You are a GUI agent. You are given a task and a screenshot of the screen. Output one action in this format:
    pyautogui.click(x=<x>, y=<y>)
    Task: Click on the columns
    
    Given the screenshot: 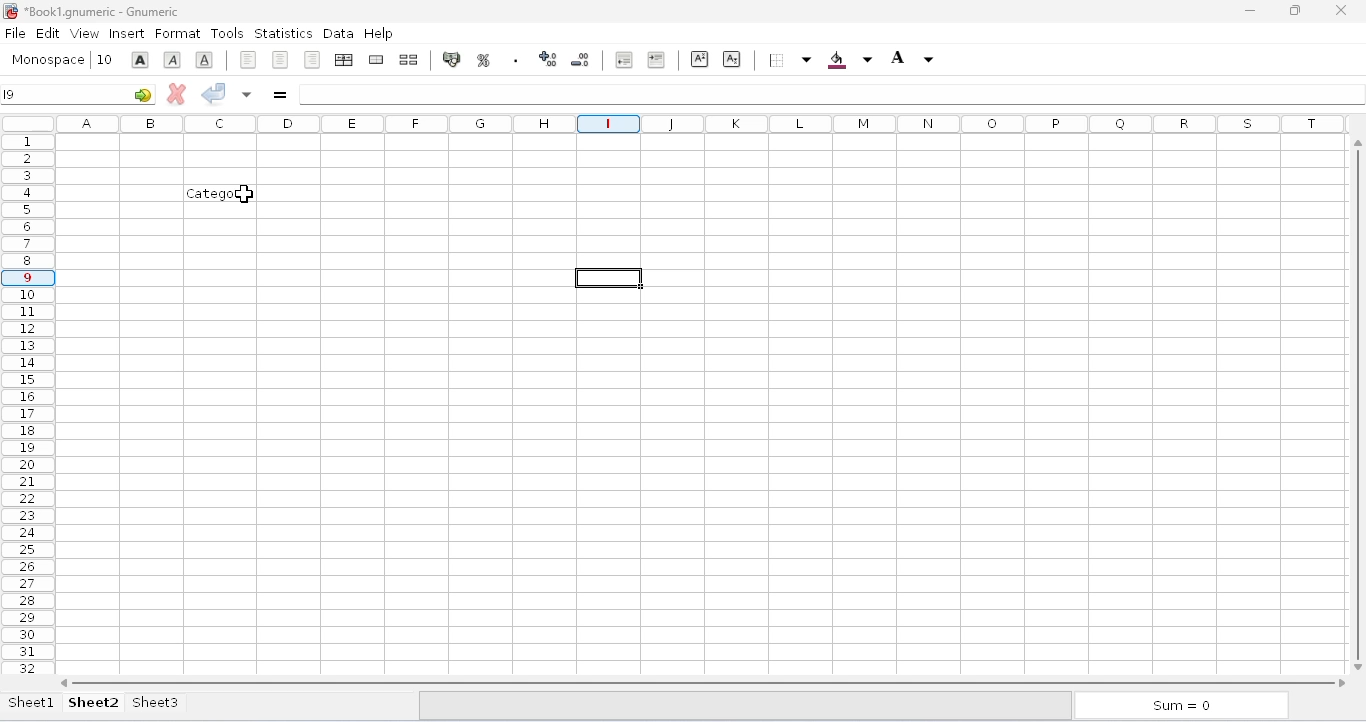 What is the action you would take?
    pyautogui.click(x=705, y=123)
    